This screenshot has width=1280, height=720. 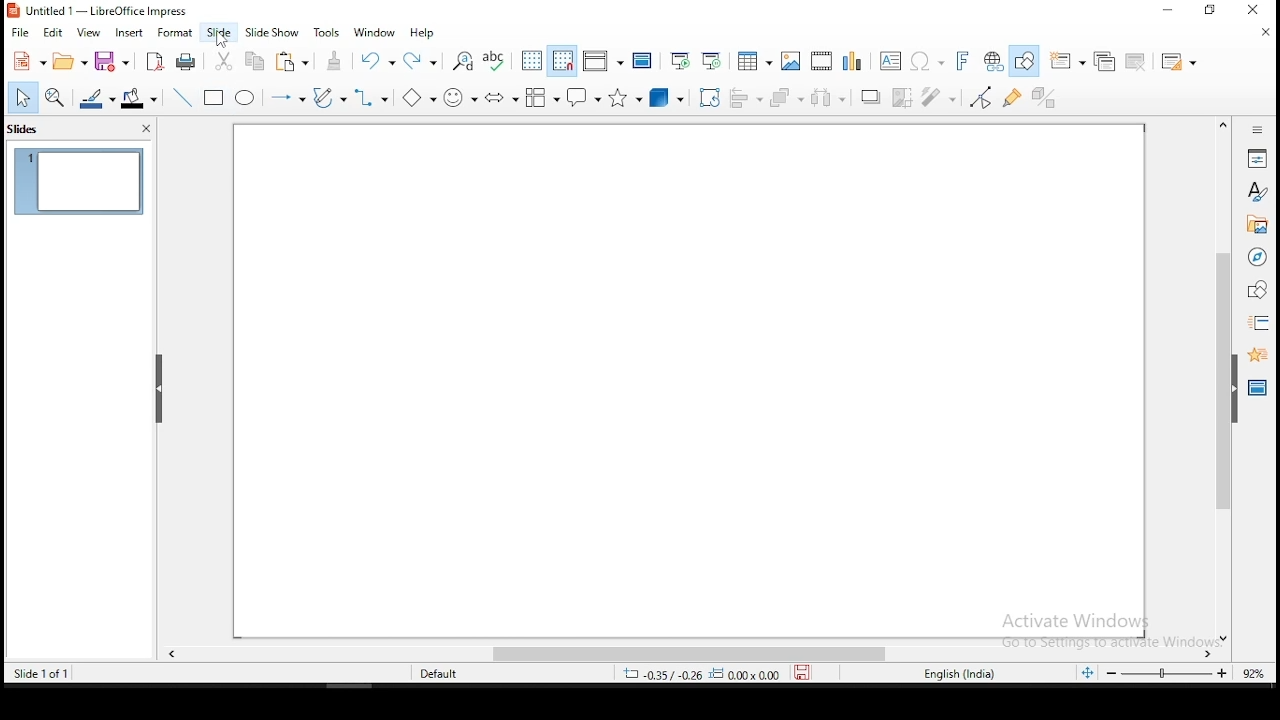 I want to click on special characters, so click(x=927, y=62).